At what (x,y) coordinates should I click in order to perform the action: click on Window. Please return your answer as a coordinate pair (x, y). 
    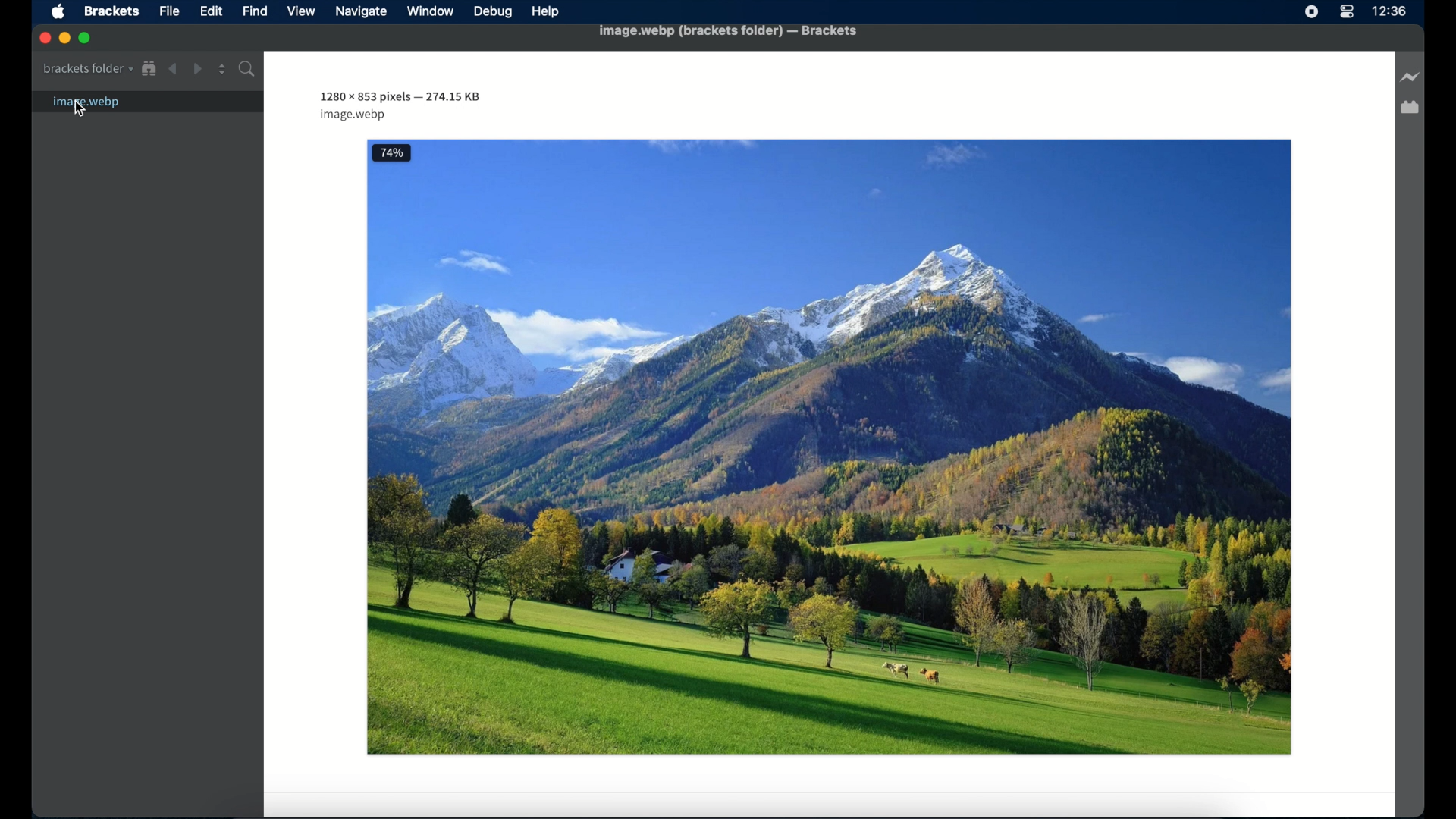
    Looking at the image, I should click on (429, 13).